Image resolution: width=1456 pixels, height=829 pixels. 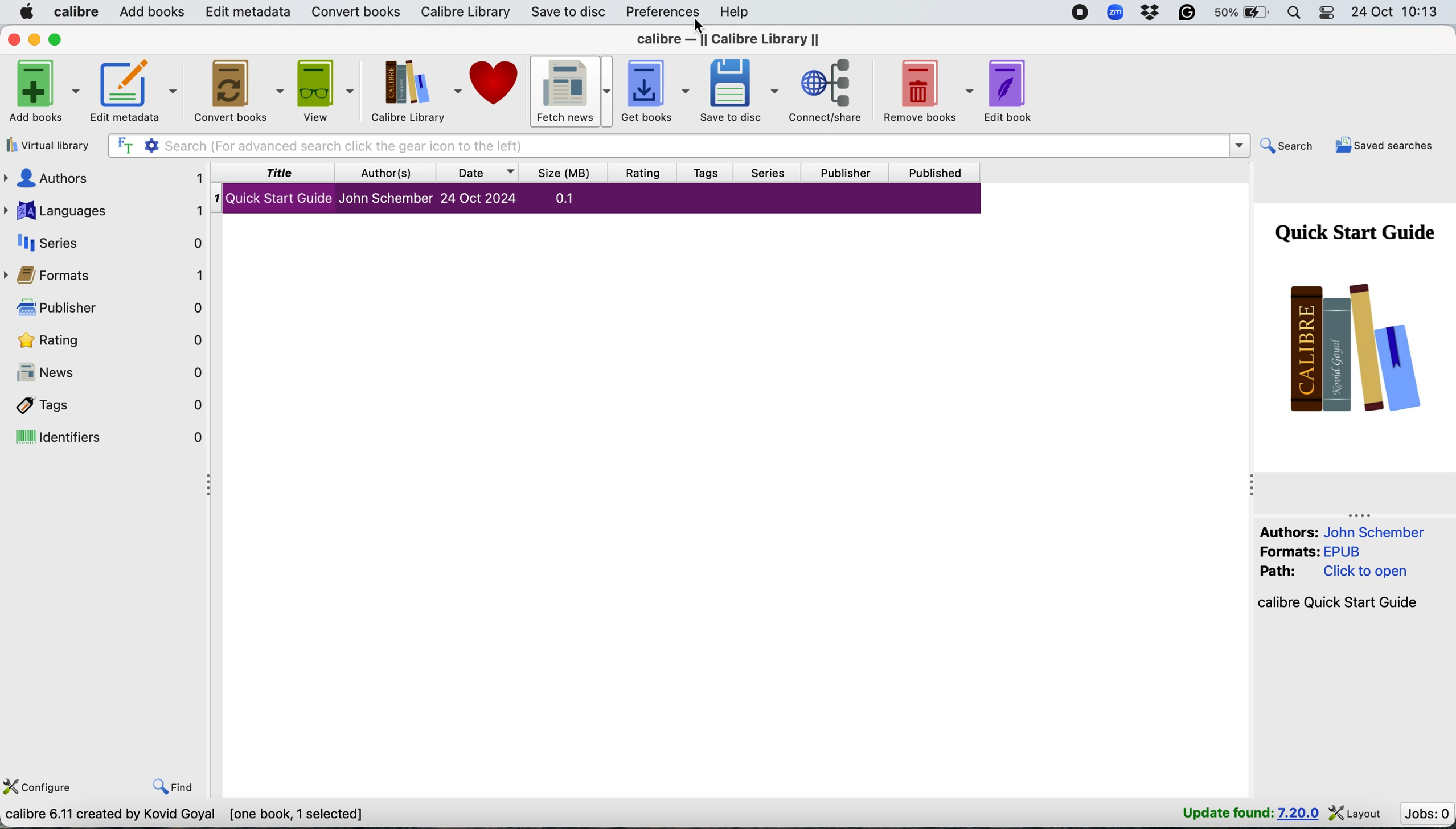 I want to click on remove books, so click(x=929, y=95).